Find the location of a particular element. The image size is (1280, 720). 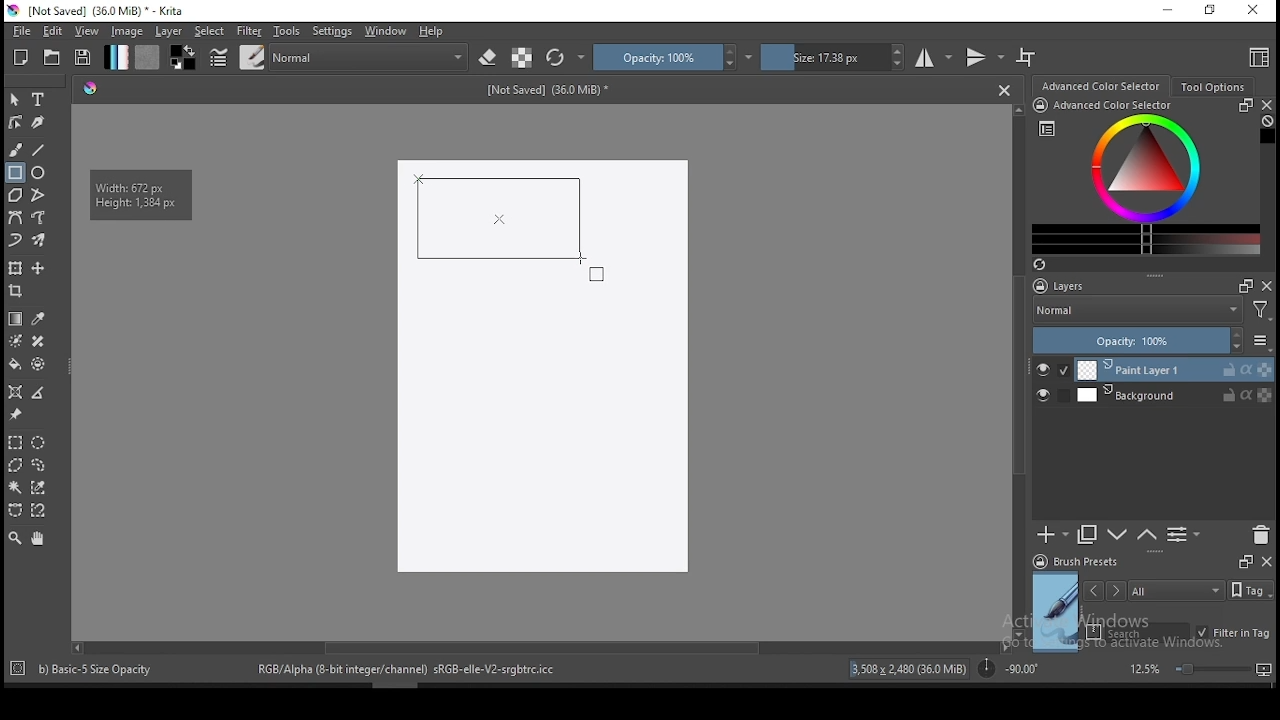

new is located at coordinates (21, 57).